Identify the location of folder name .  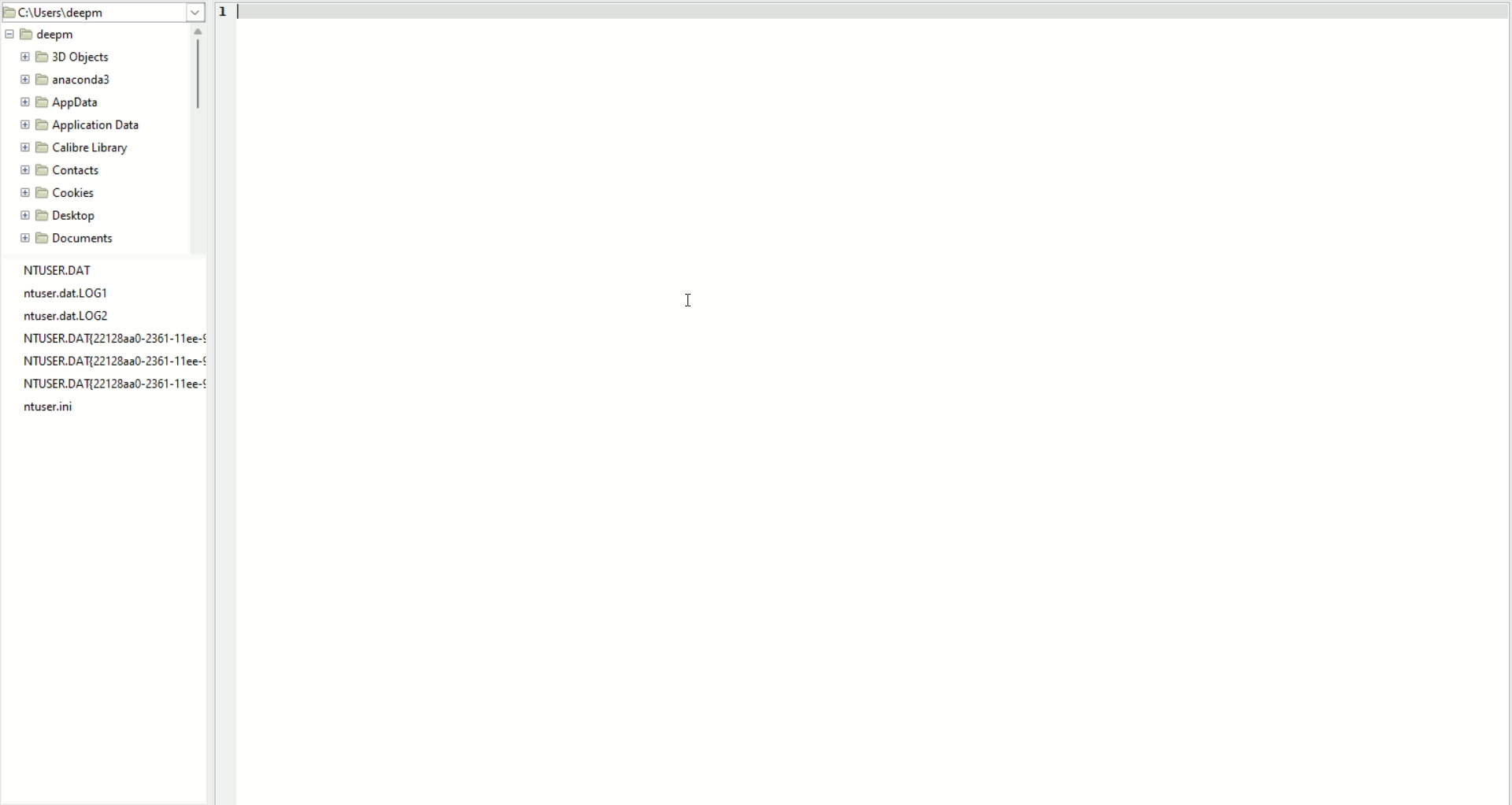
(43, 35).